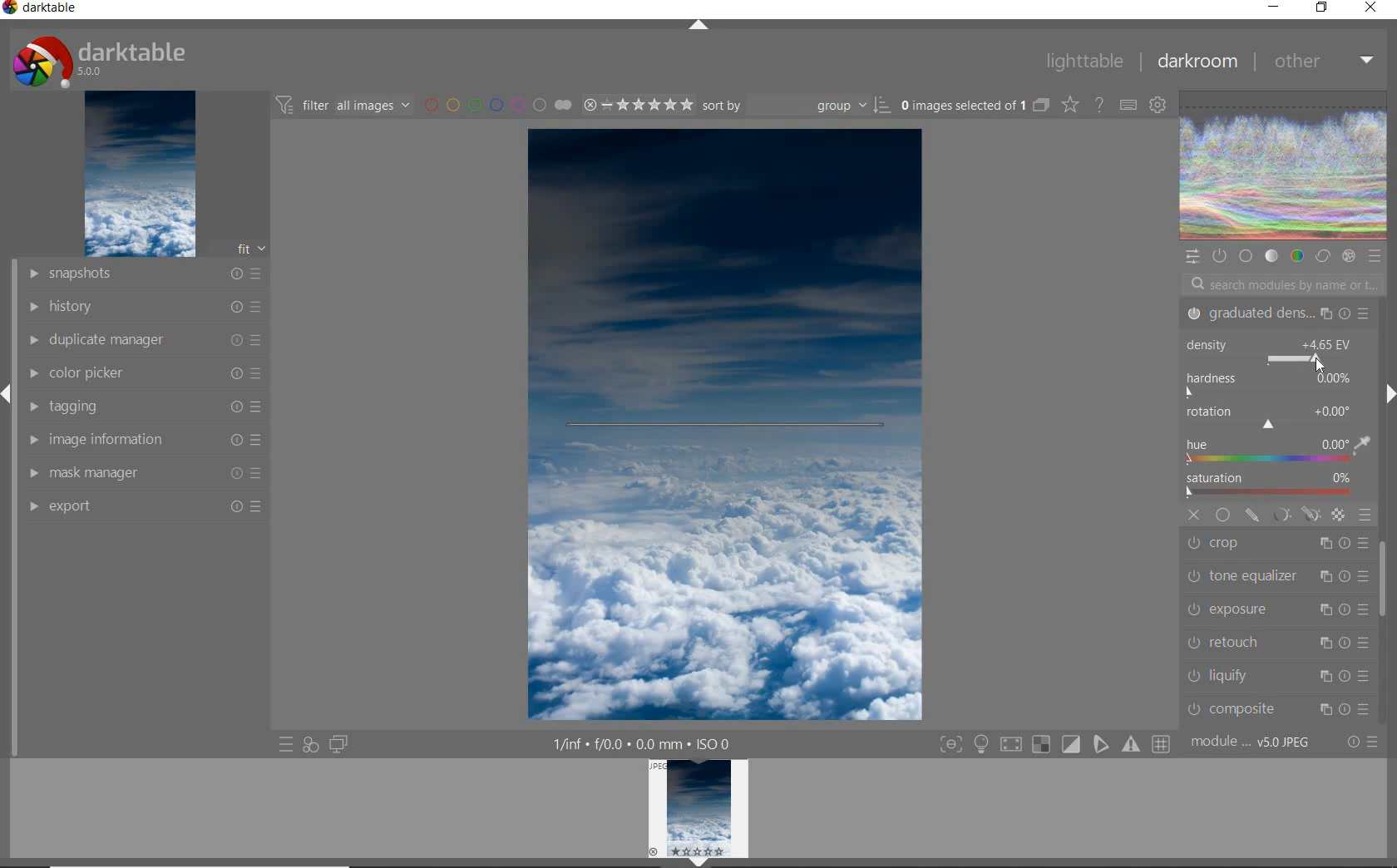 The height and width of the screenshot is (868, 1397). I want to click on IMAGE, so click(138, 175).